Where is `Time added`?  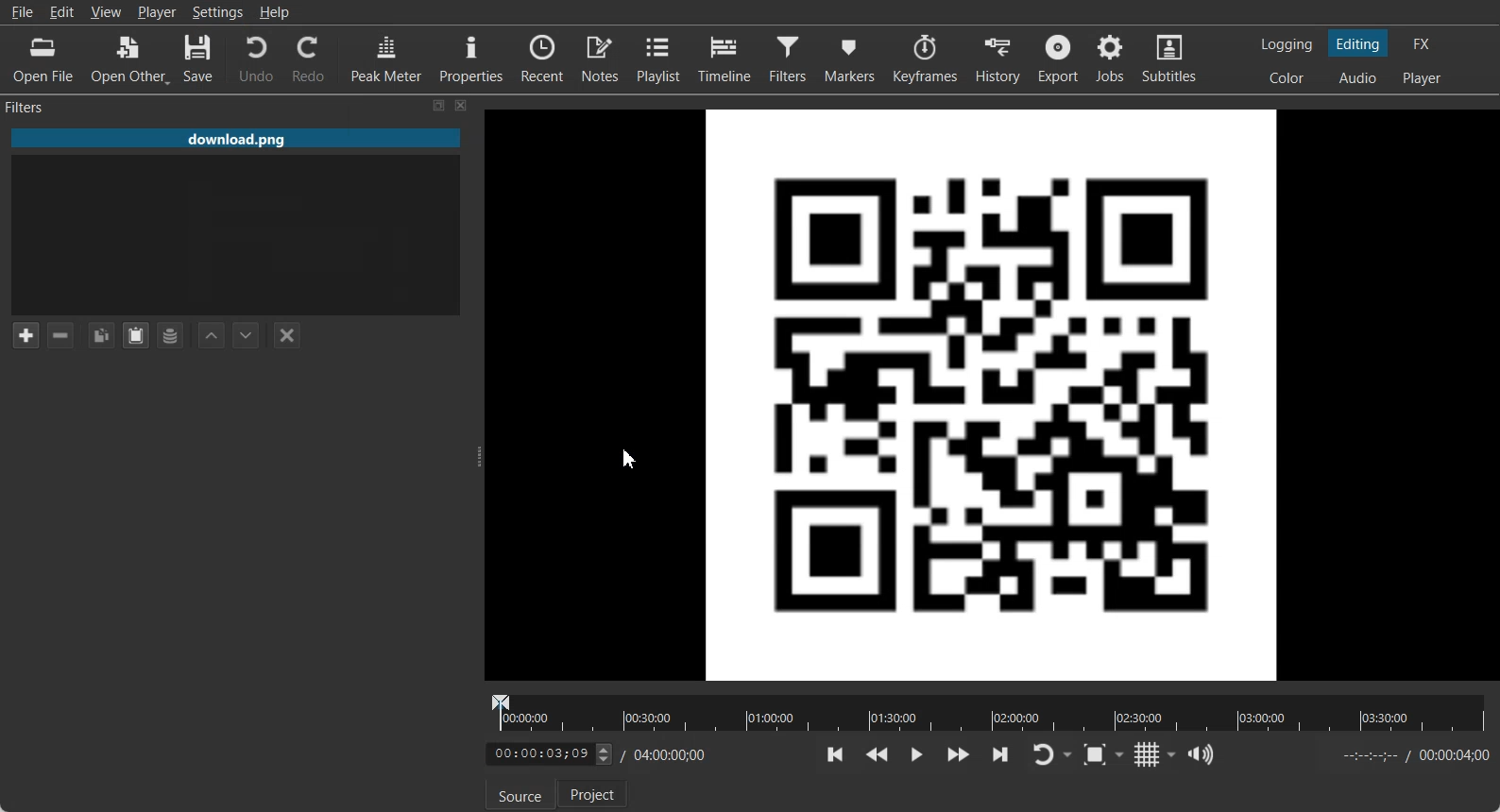 Time added is located at coordinates (1454, 754).